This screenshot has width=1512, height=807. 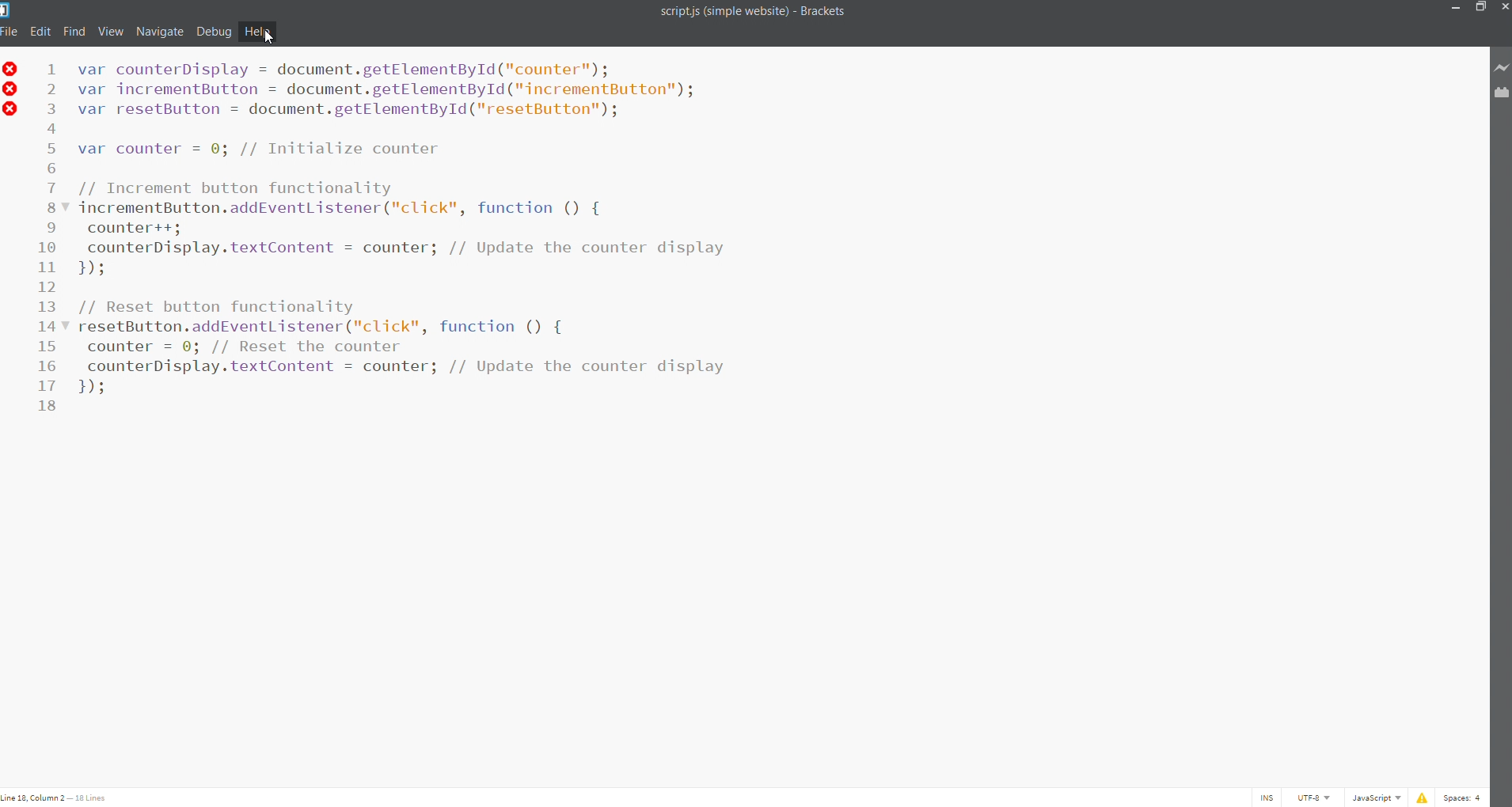 What do you see at coordinates (111, 30) in the screenshot?
I see `view` at bounding box center [111, 30].